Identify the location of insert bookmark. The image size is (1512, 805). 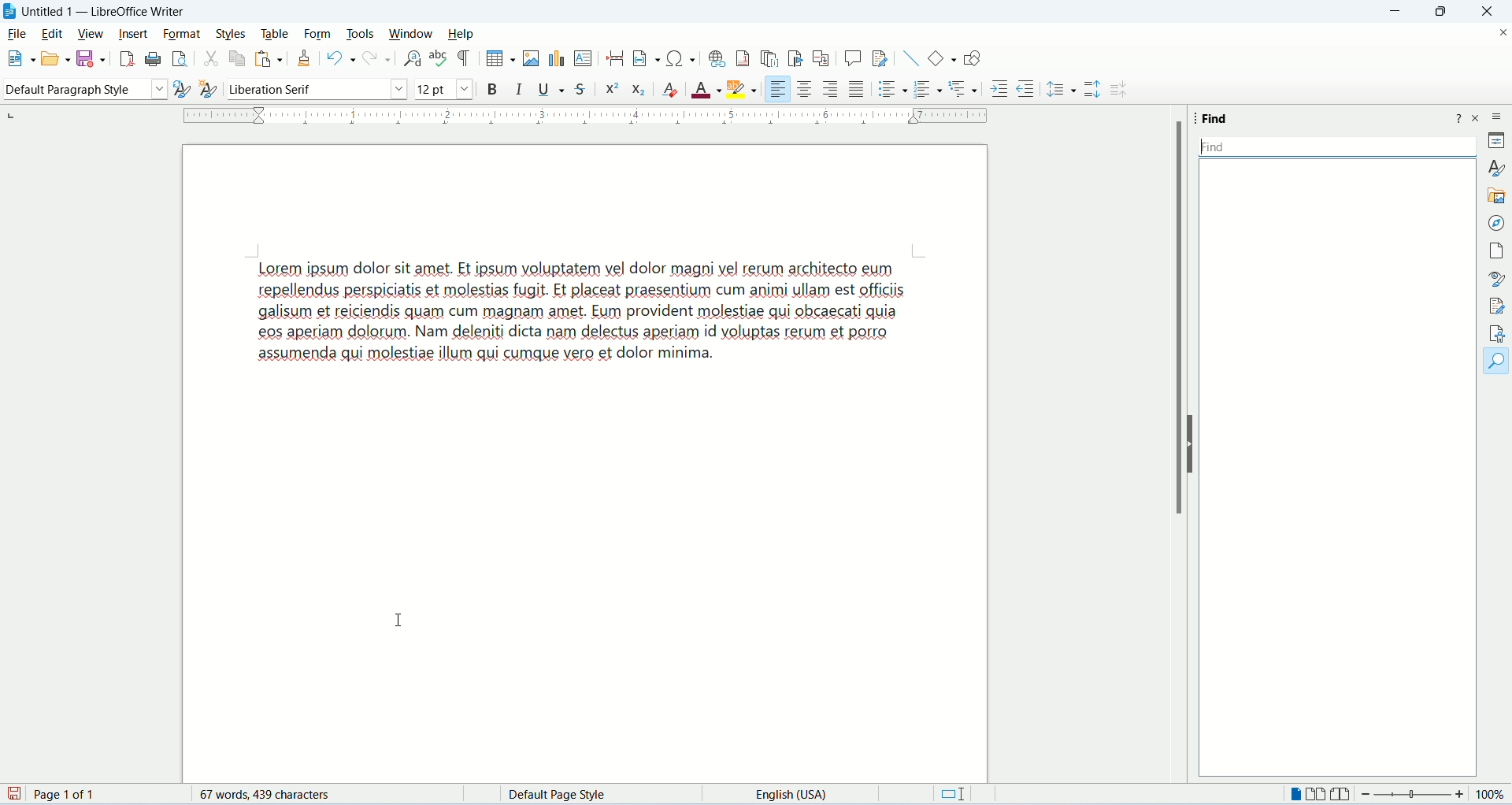
(795, 60).